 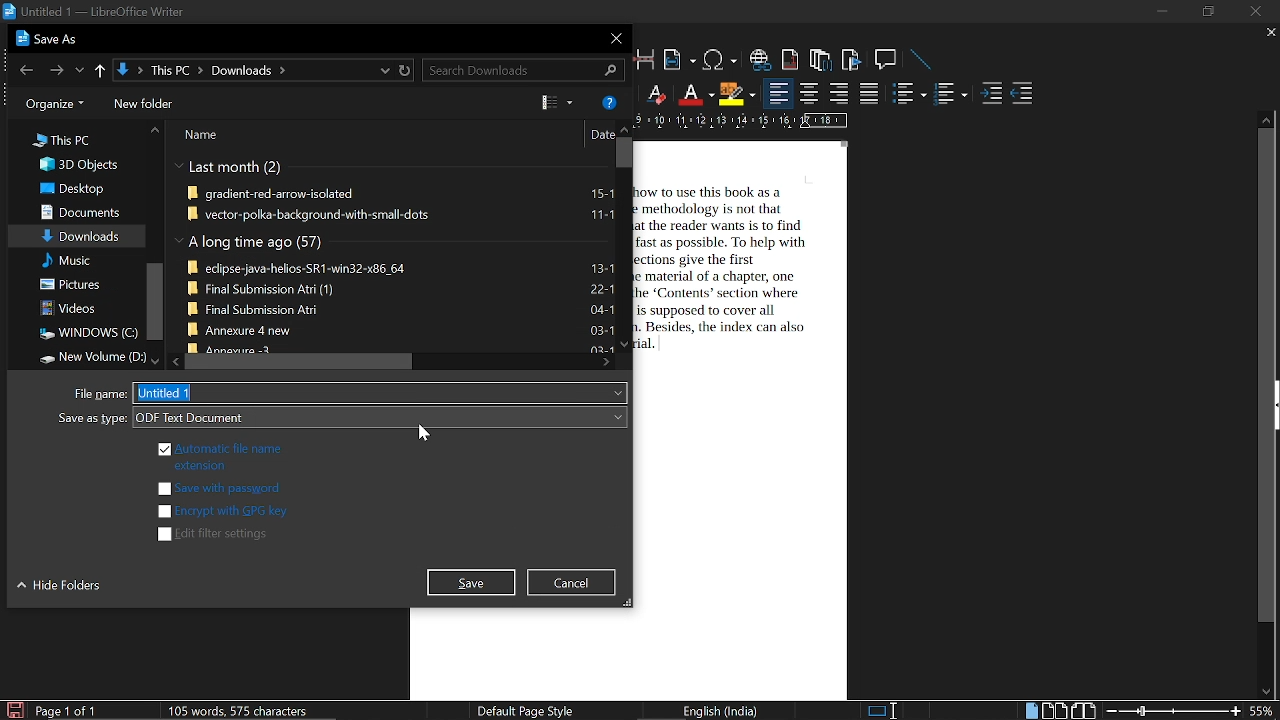 What do you see at coordinates (853, 60) in the screenshot?
I see `insert bookmark` at bounding box center [853, 60].